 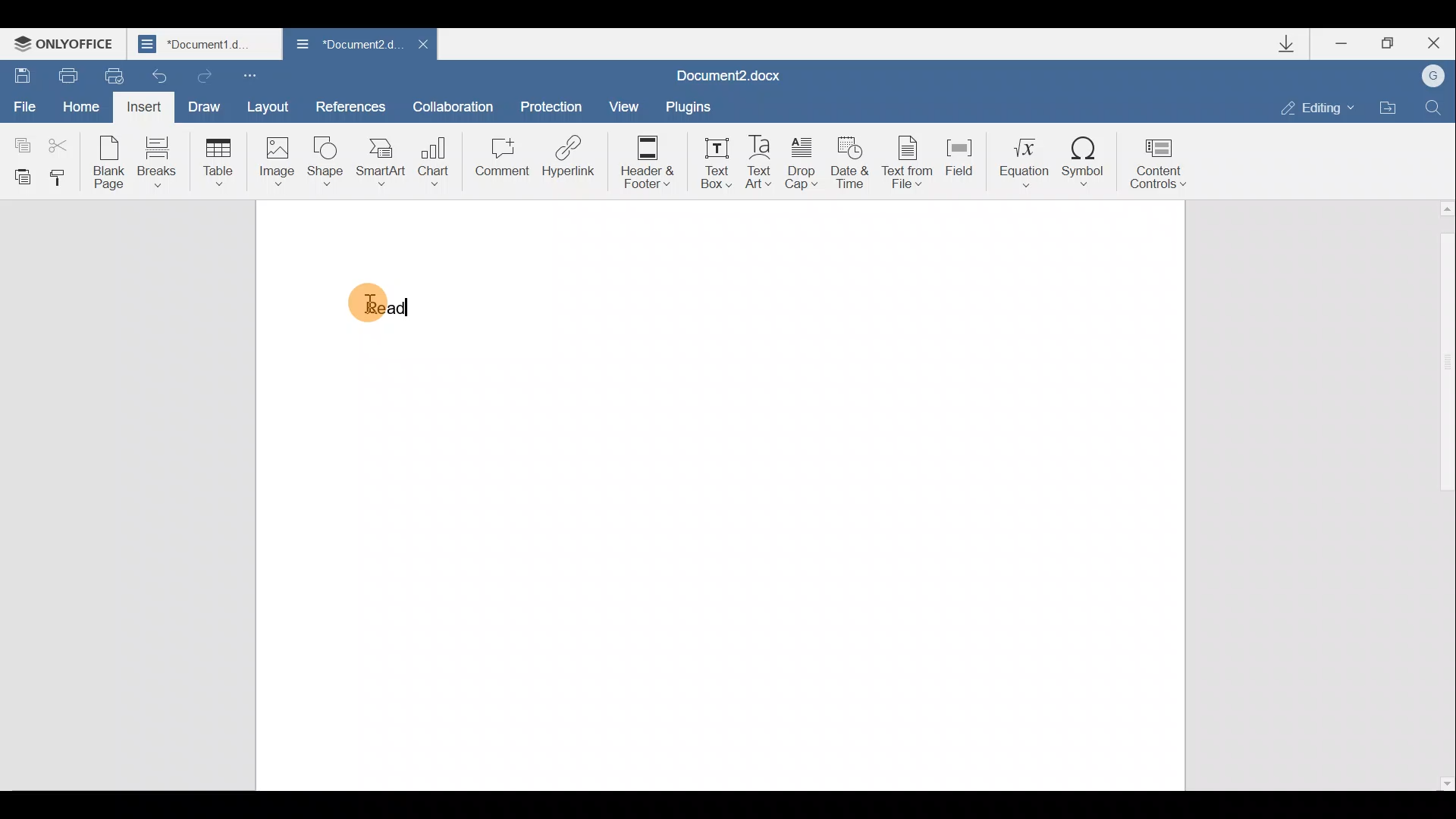 What do you see at coordinates (1020, 162) in the screenshot?
I see `Equation` at bounding box center [1020, 162].